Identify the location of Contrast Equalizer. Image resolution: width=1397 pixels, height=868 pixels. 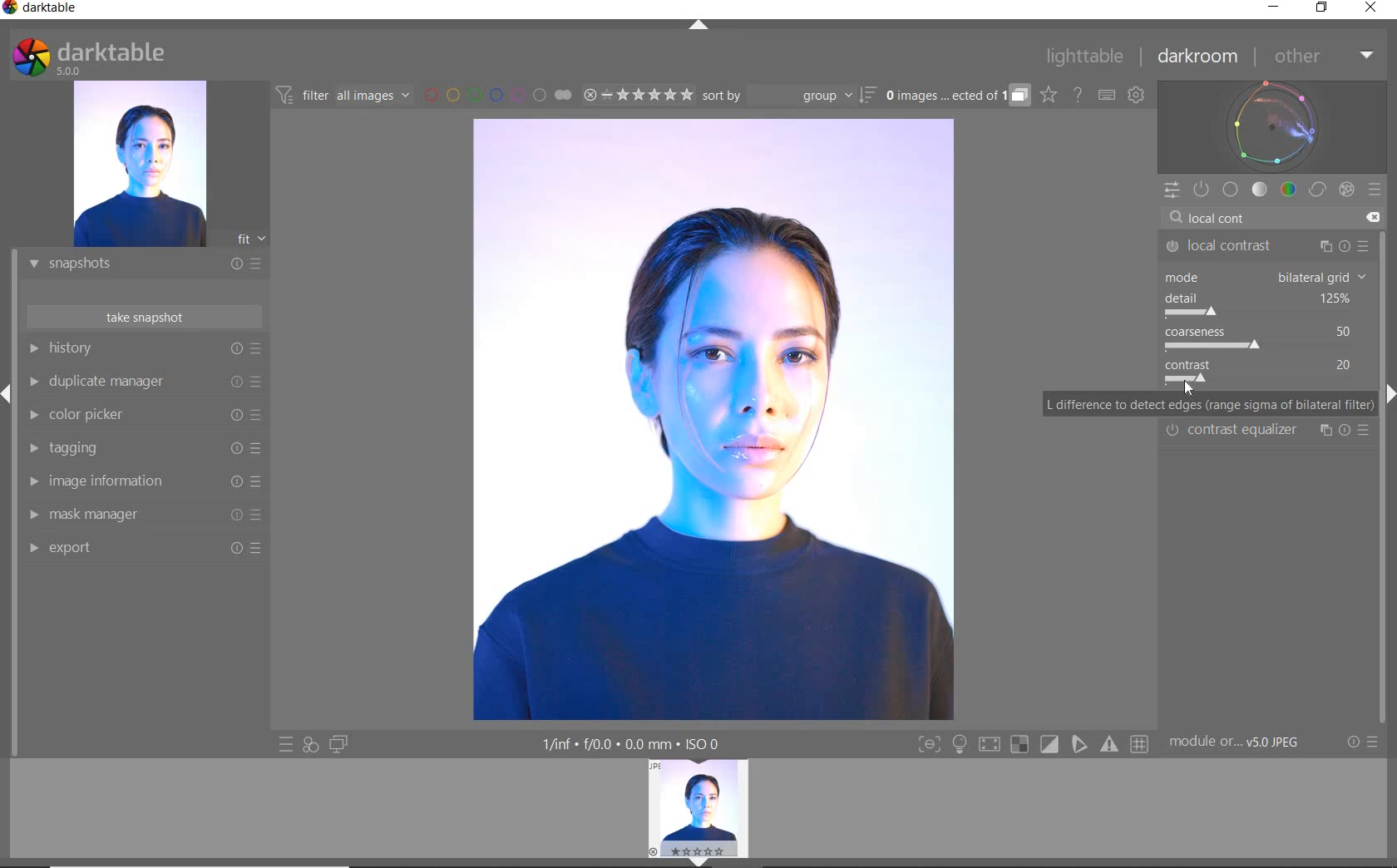
(1267, 432).